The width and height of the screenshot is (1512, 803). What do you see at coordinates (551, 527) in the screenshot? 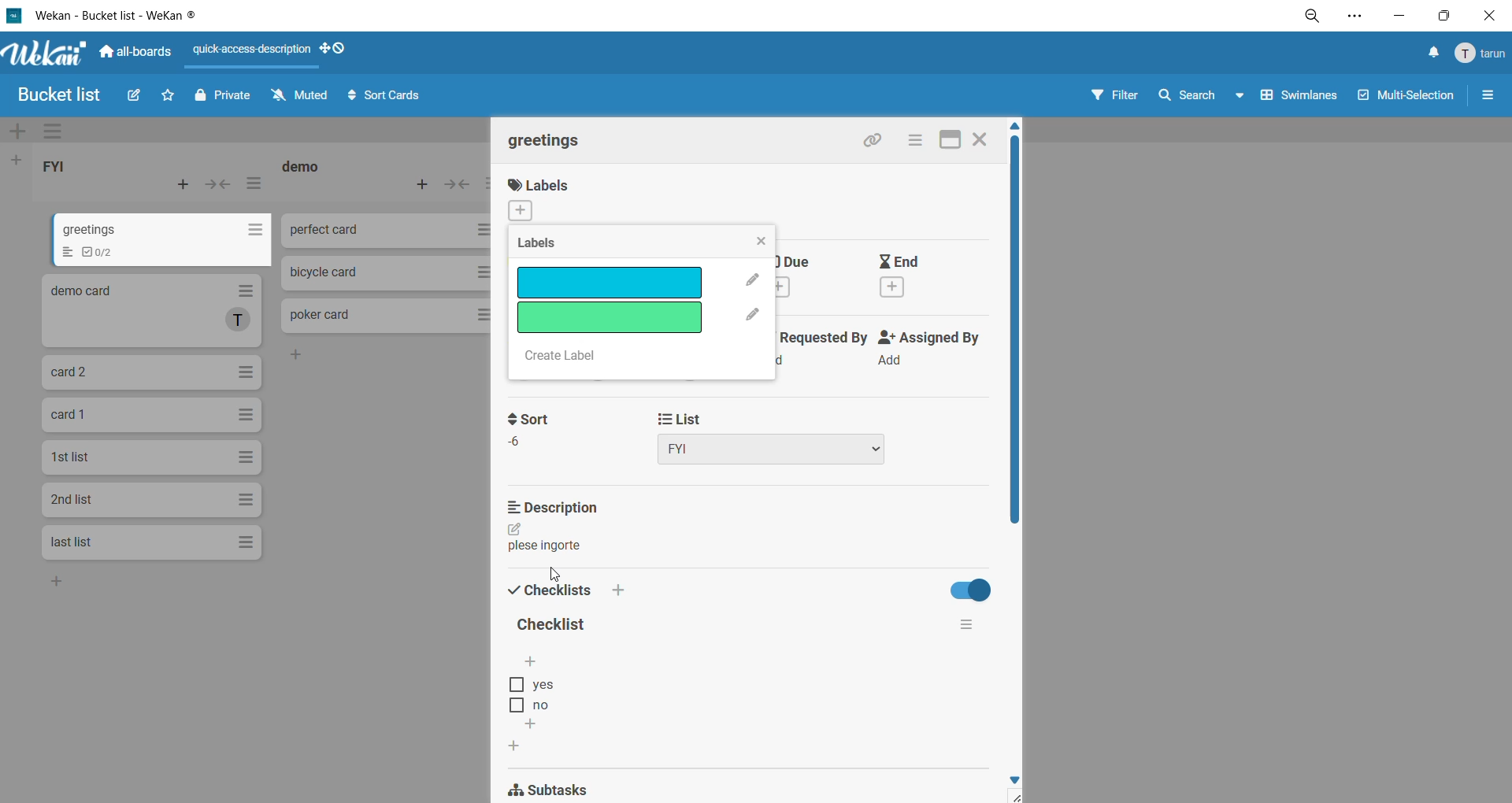
I see `description` at bounding box center [551, 527].